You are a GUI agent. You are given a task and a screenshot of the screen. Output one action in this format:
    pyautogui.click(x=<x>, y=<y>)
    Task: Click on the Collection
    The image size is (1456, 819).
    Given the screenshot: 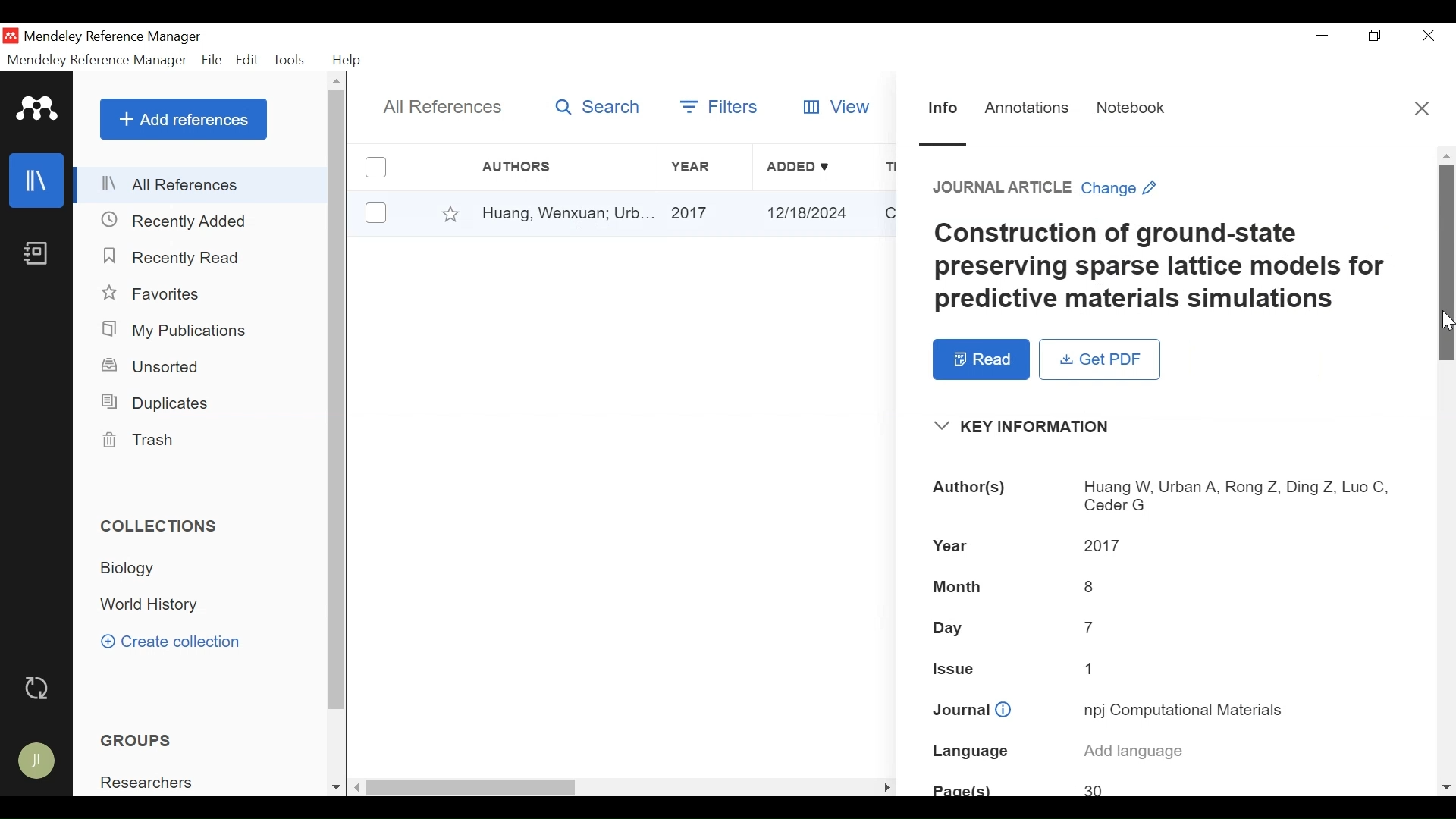 What is the action you would take?
    pyautogui.click(x=157, y=605)
    